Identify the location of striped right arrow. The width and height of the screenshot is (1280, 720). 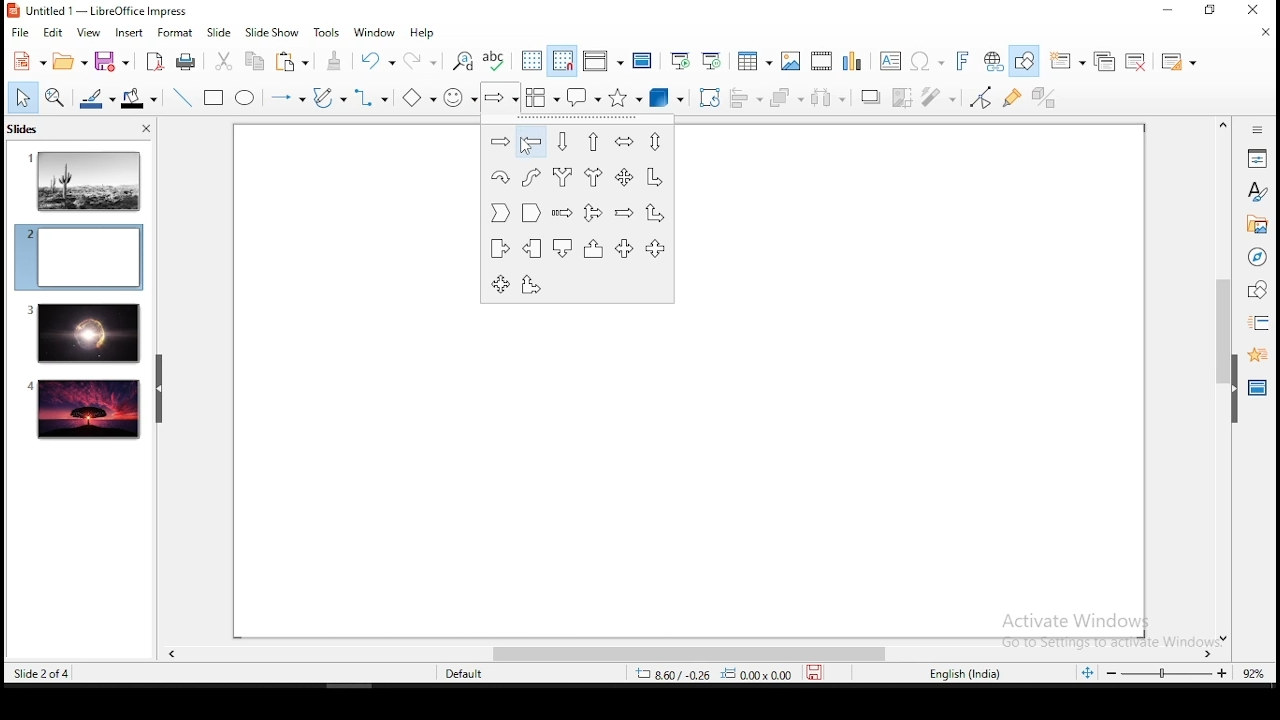
(562, 213).